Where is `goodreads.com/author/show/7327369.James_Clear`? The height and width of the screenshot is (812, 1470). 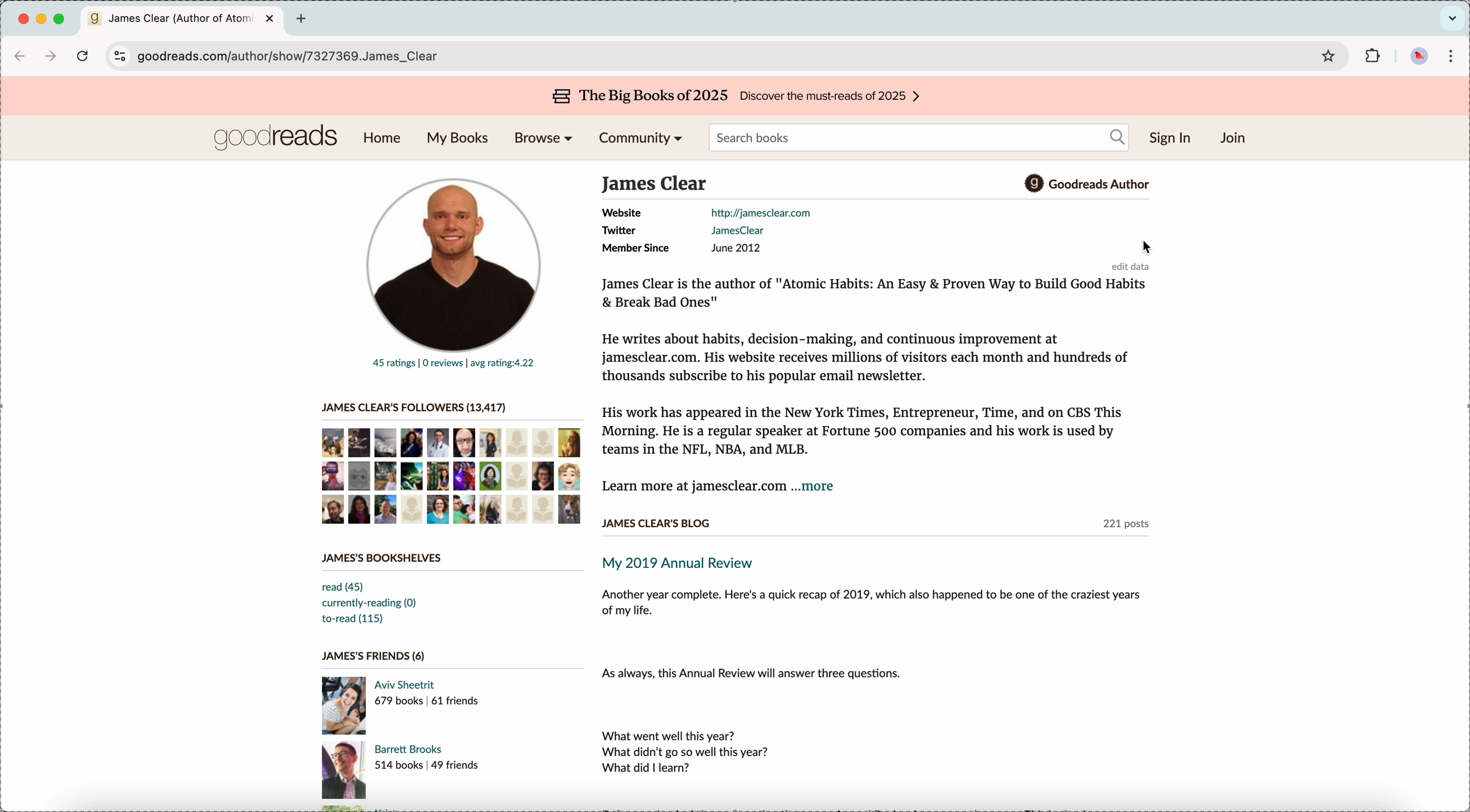 goodreads.com/author/show/7327369.James_Clear is located at coordinates (298, 56).